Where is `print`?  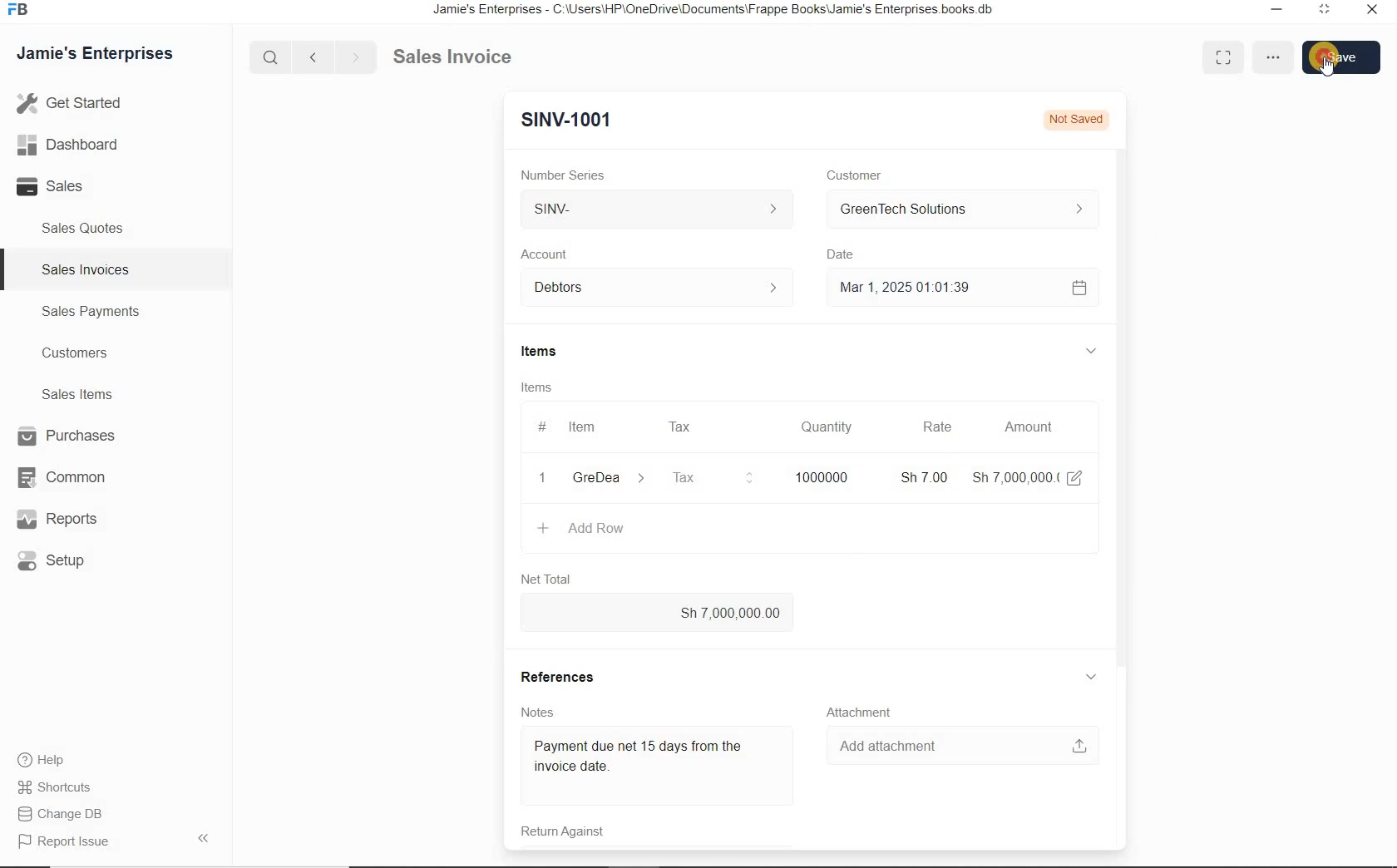 print is located at coordinates (1163, 58).